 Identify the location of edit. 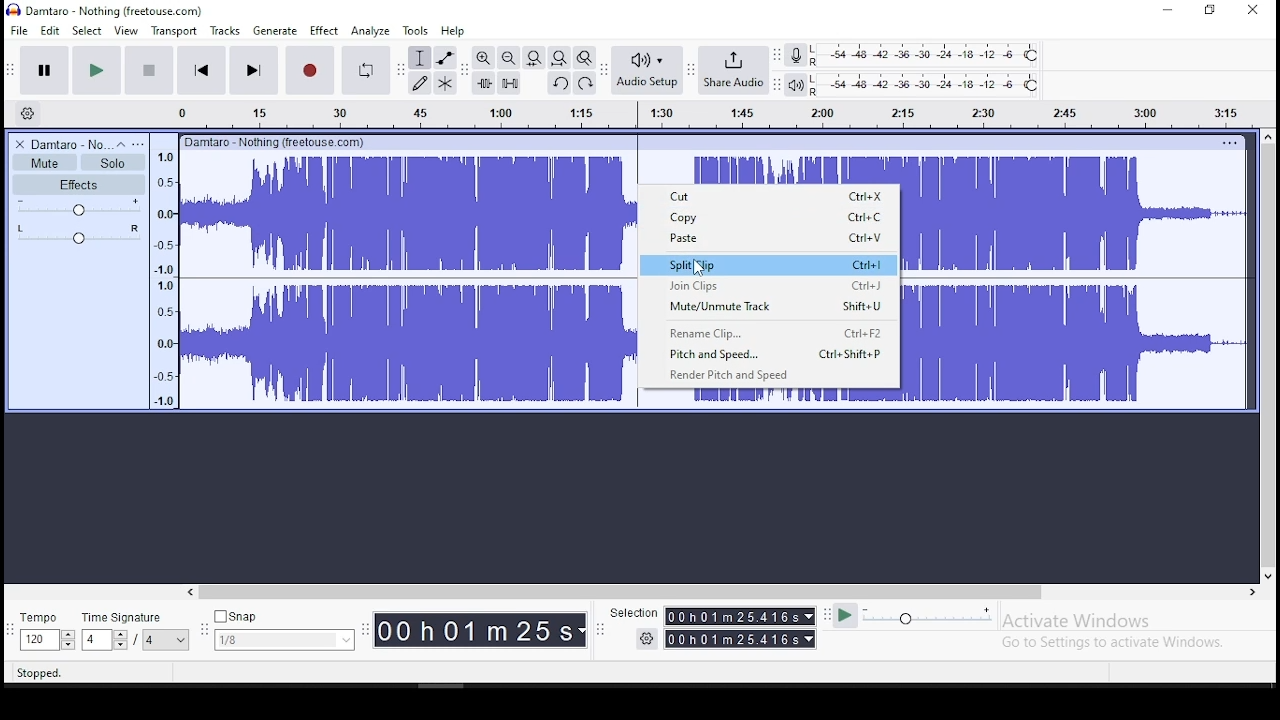
(52, 30).